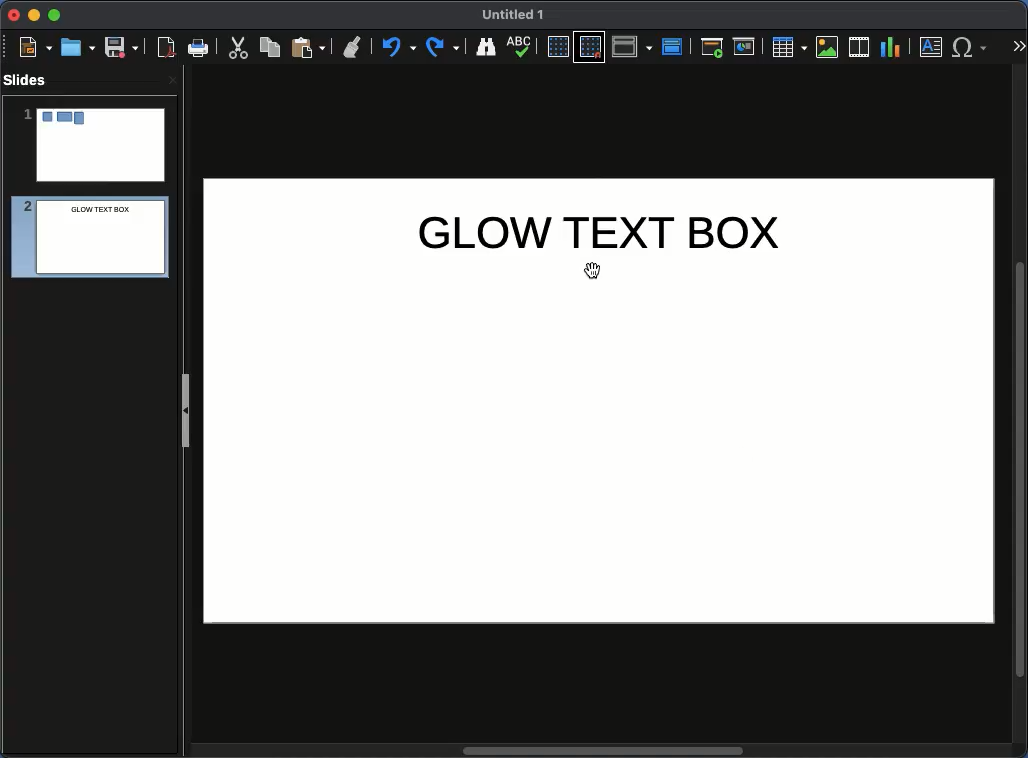 This screenshot has width=1028, height=758. I want to click on Display views, so click(635, 45).